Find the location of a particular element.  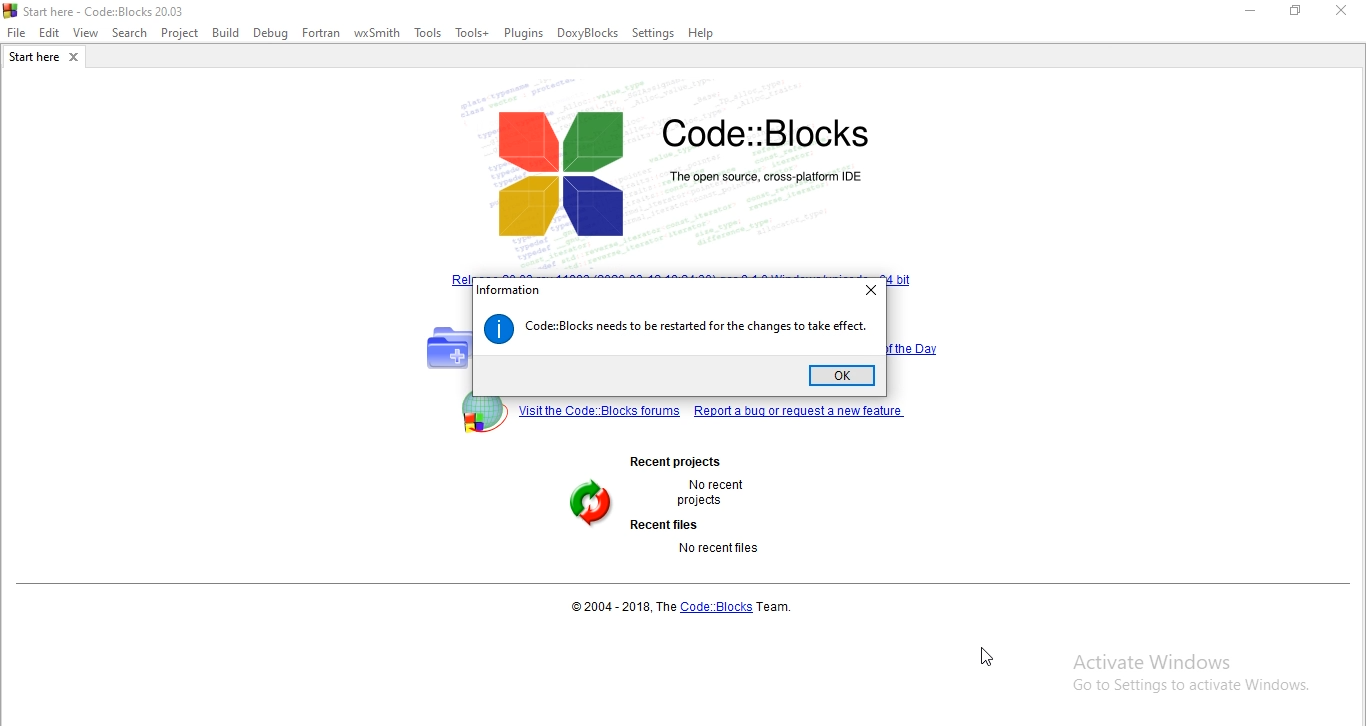

No recent projects is located at coordinates (711, 495).